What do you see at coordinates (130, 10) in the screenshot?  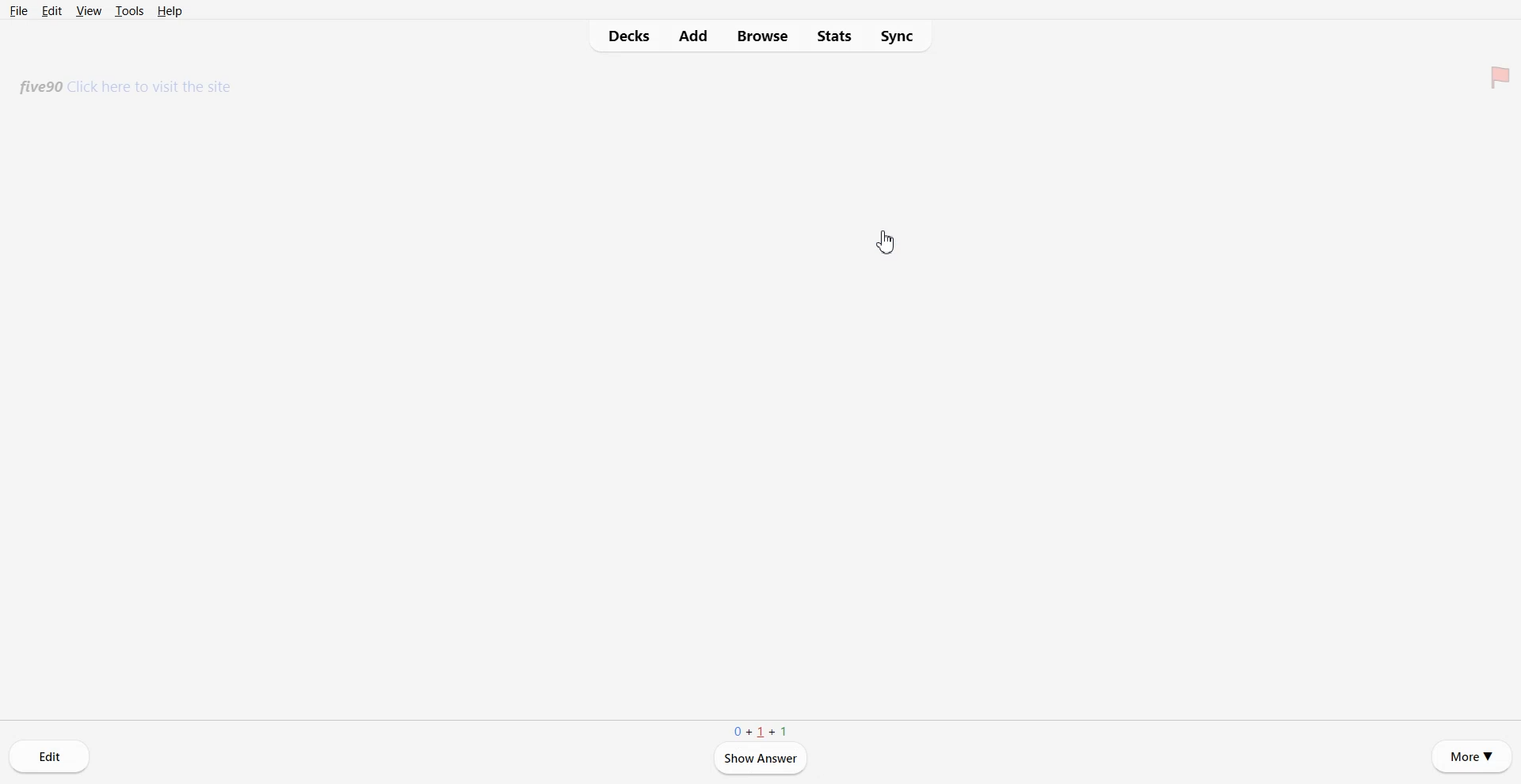 I see `Tools` at bounding box center [130, 10].